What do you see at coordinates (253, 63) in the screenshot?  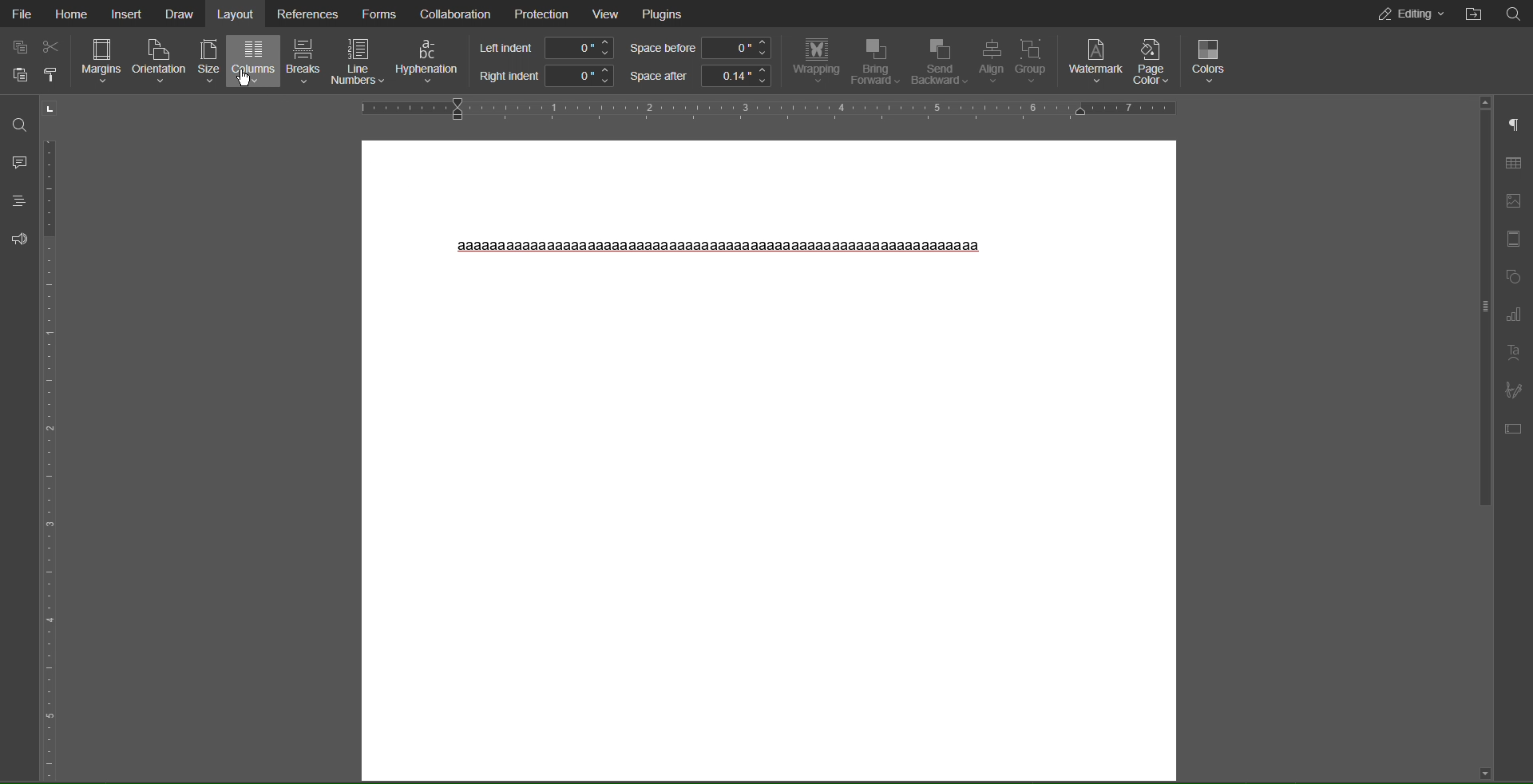 I see `Columns` at bounding box center [253, 63].